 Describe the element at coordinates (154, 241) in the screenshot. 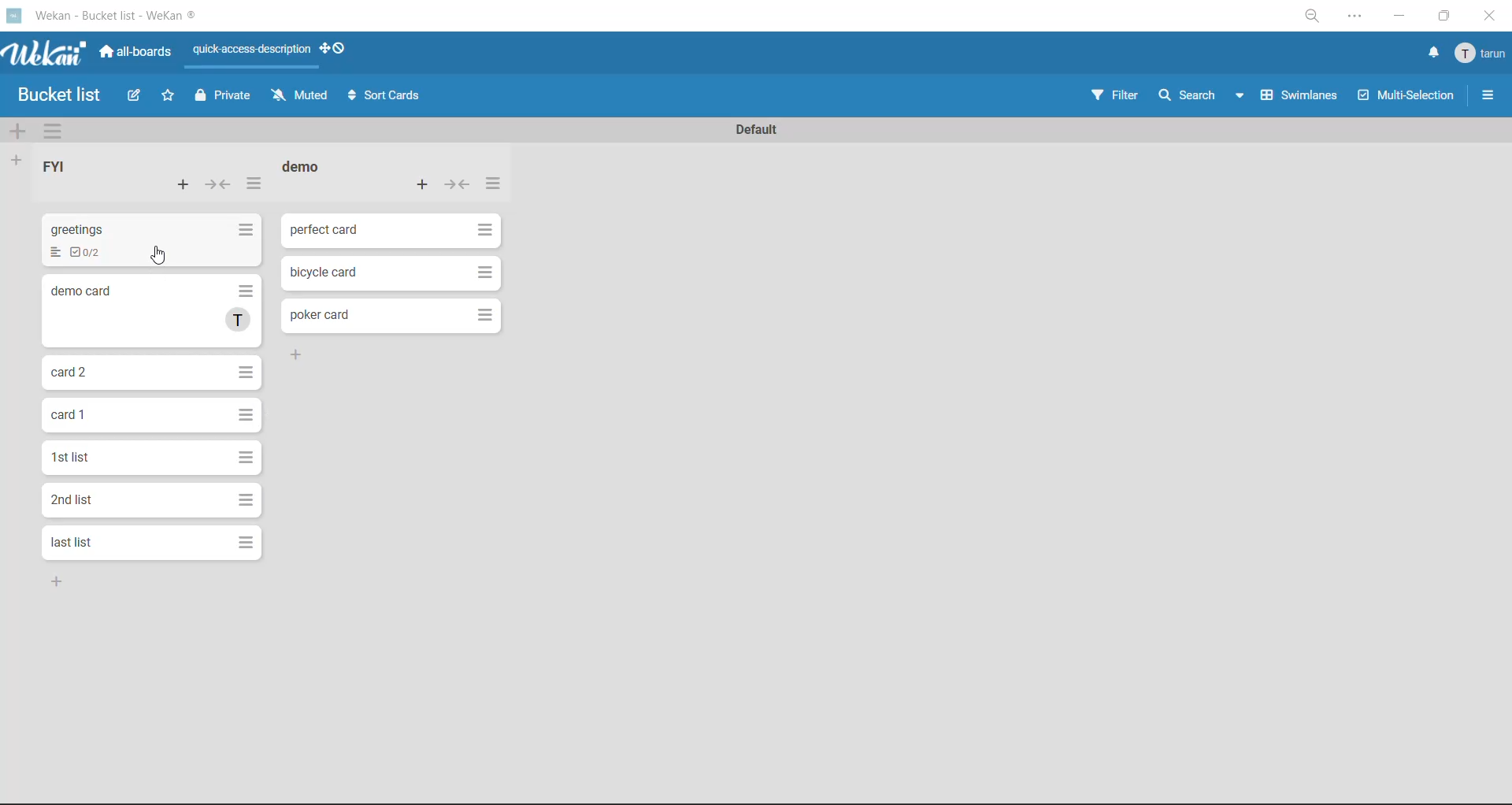

I see `card 1` at that location.